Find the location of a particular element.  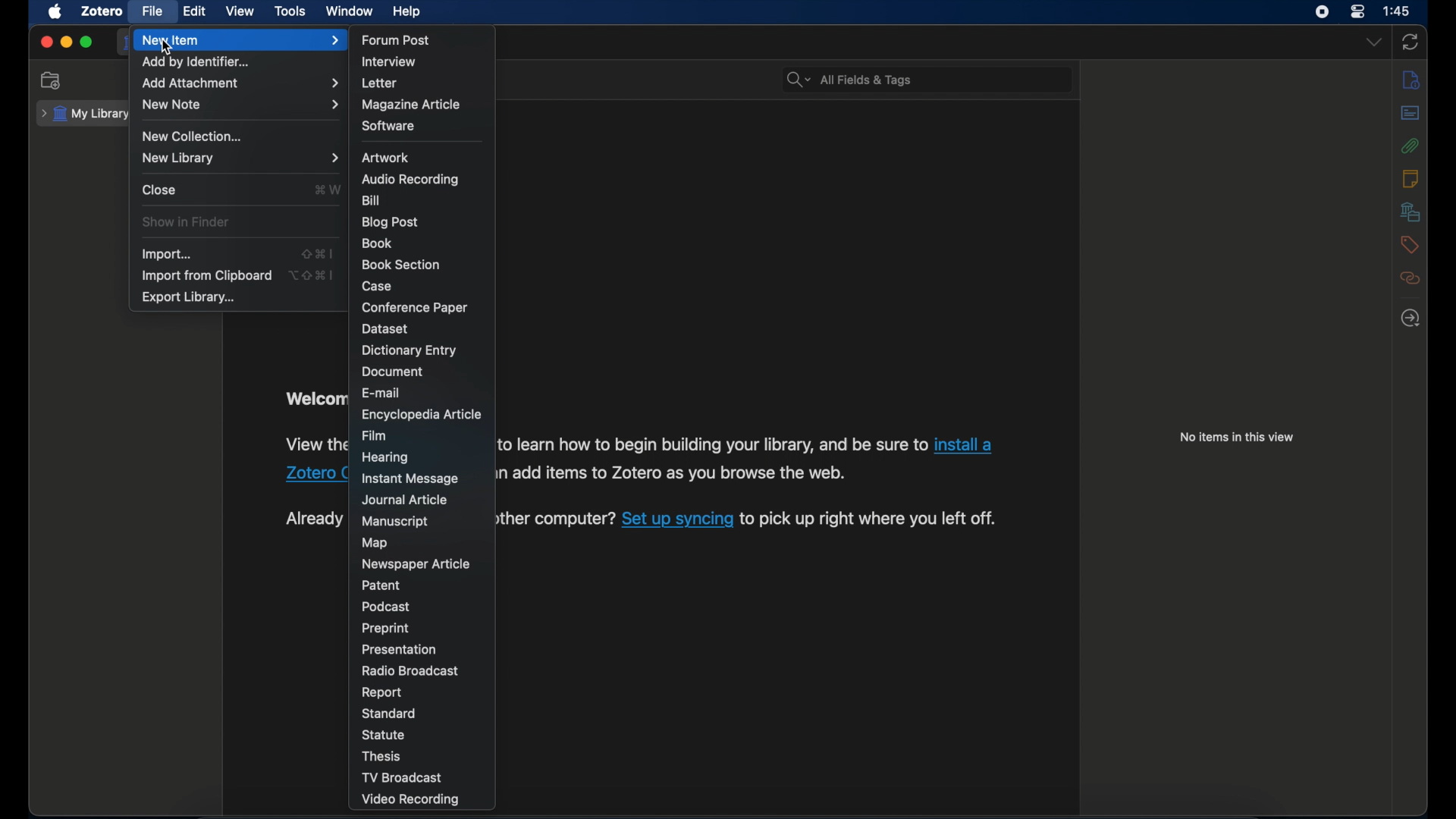

e-mail is located at coordinates (384, 392).